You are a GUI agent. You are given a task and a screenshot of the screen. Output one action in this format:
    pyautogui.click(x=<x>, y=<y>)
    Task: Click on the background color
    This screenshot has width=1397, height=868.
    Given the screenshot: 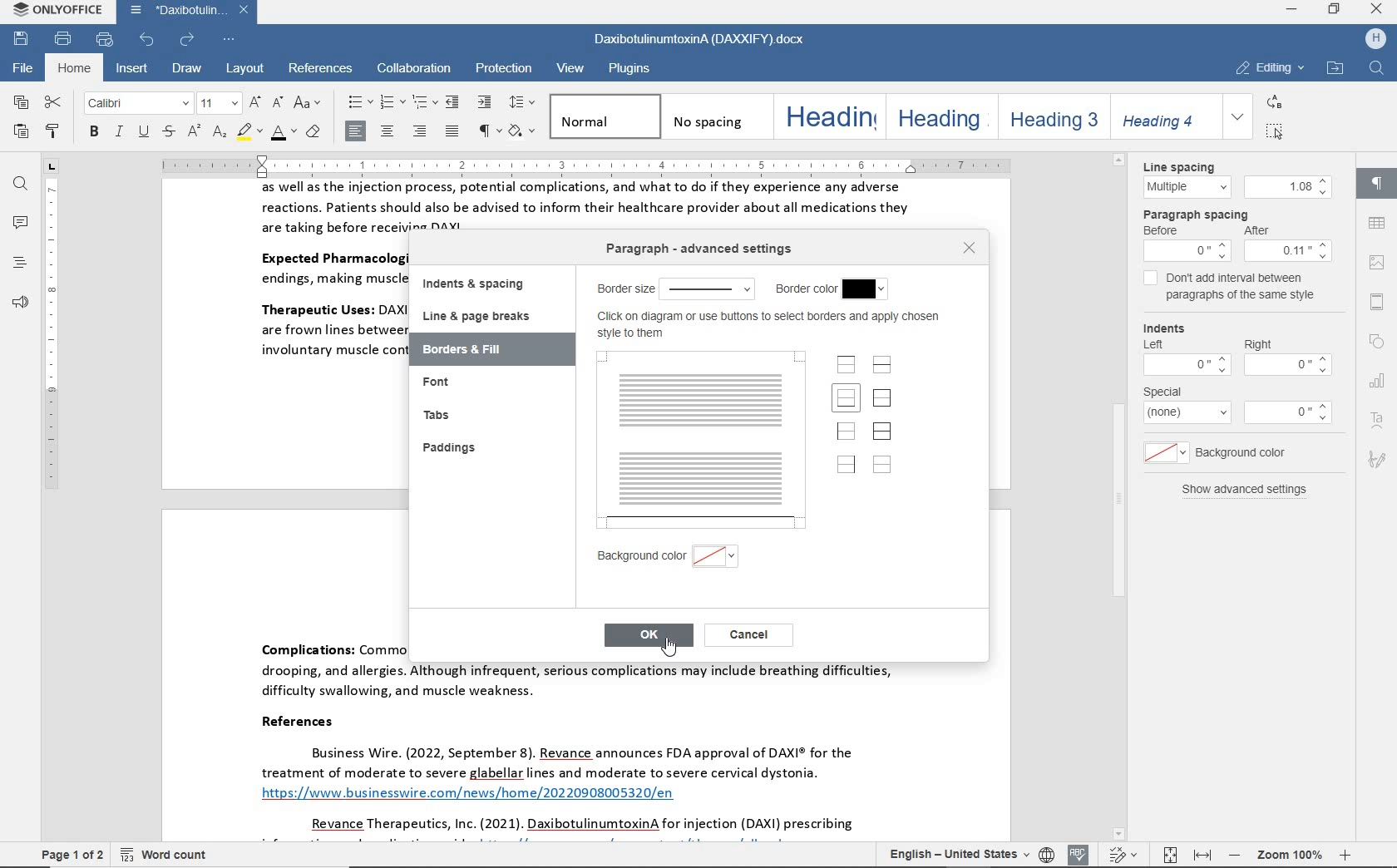 What is the action you would take?
    pyautogui.click(x=668, y=555)
    